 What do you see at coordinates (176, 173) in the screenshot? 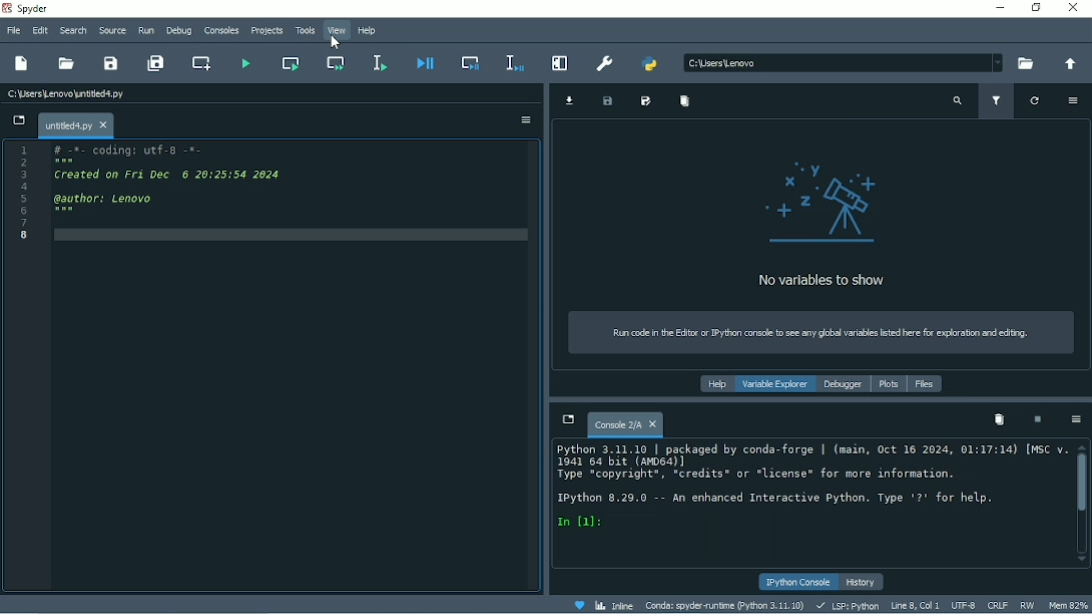
I see `Created on date and time` at bounding box center [176, 173].